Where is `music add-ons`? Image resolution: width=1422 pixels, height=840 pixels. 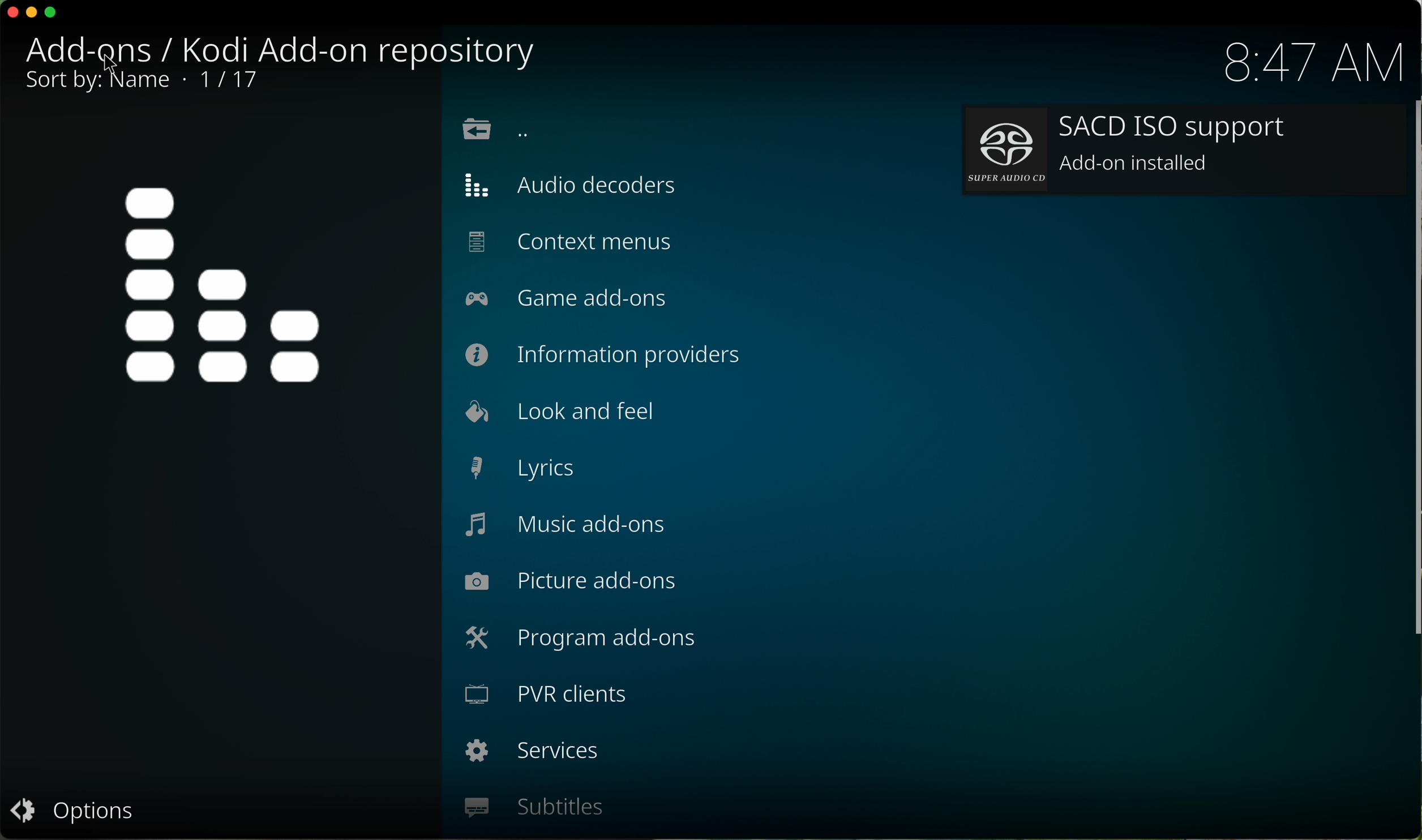
music add-ons is located at coordinates (567, 526).